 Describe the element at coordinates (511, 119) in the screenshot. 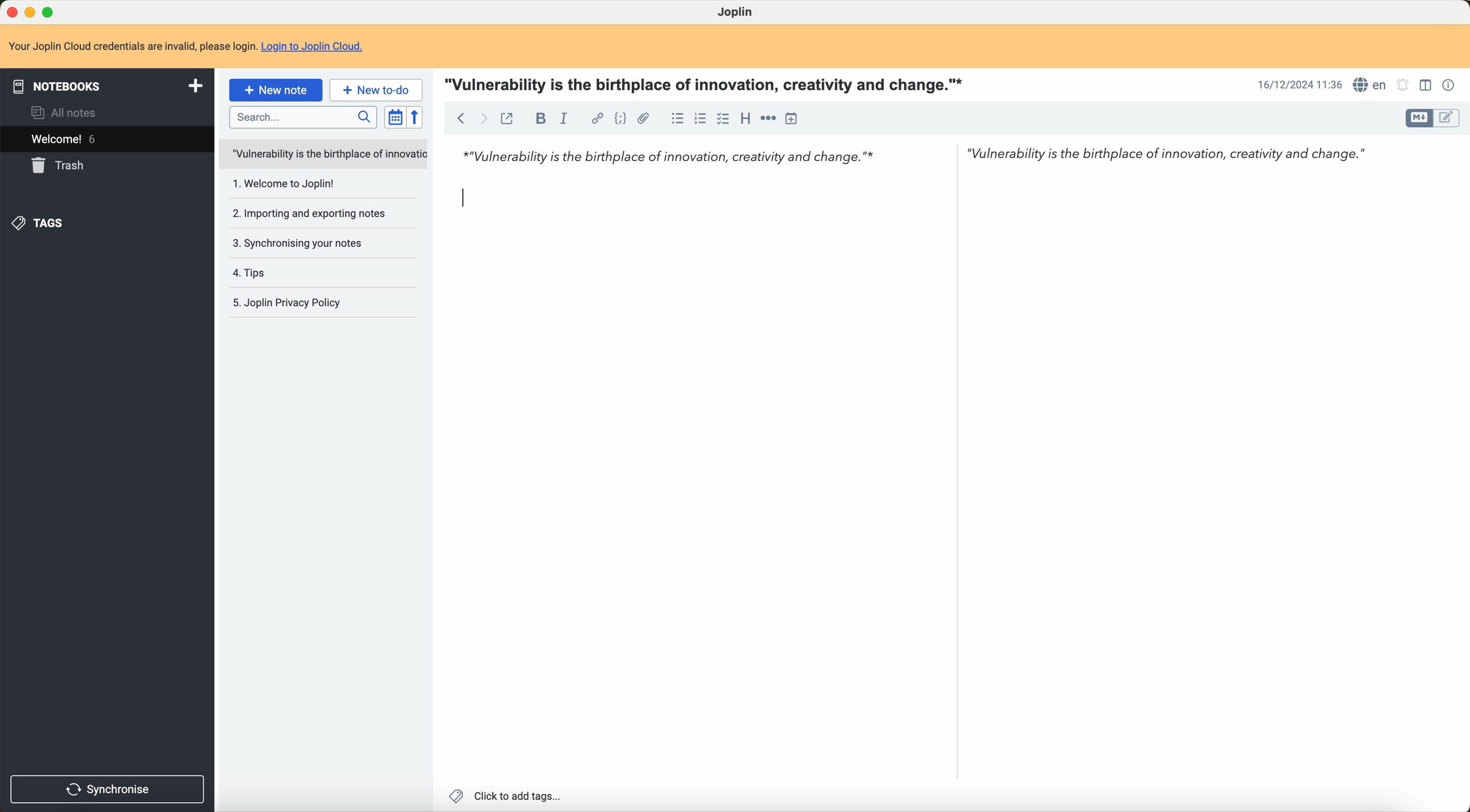

I see `toggle external editing` at that location.